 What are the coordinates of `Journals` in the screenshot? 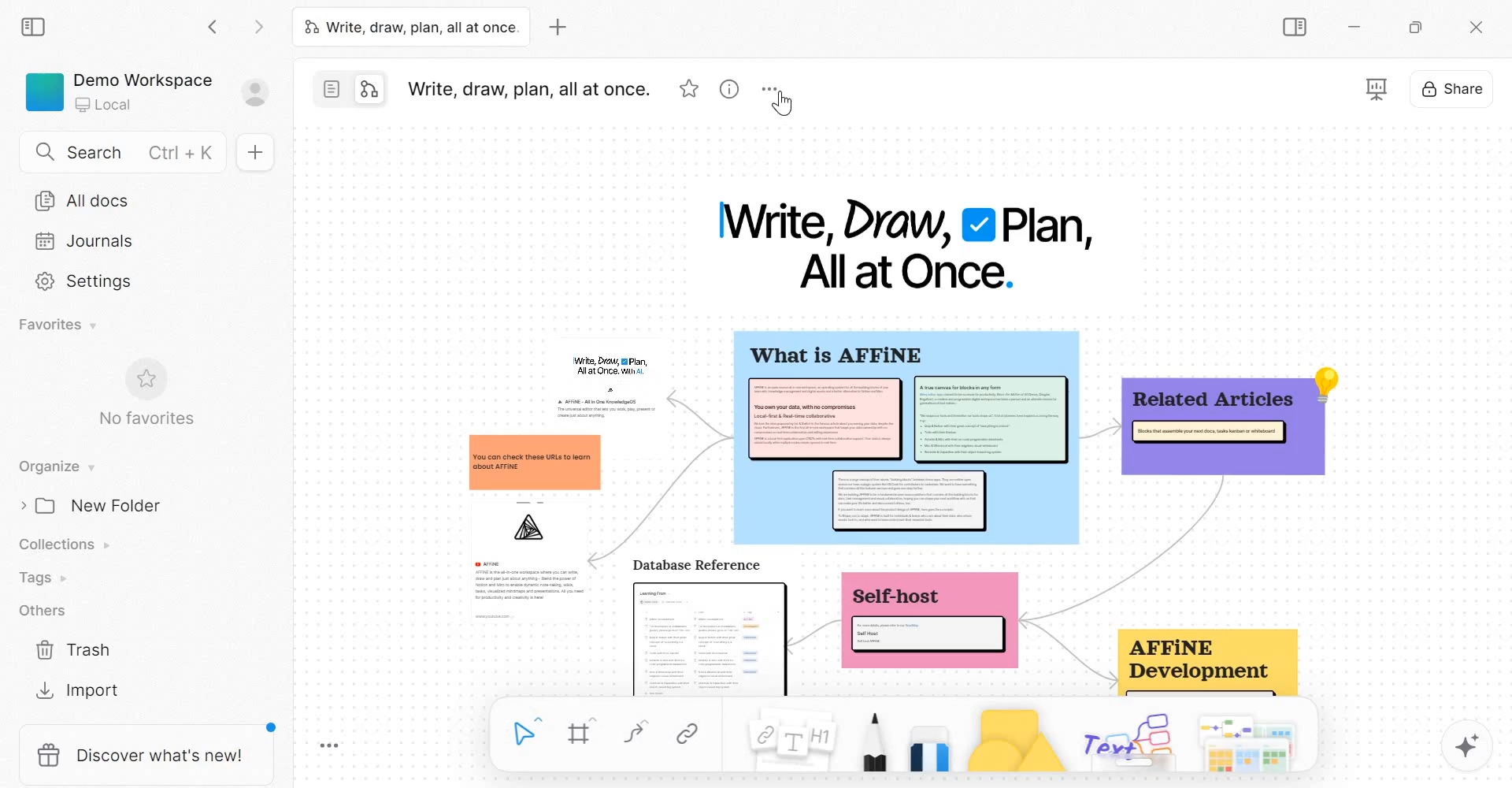 It's located at (95, 243).